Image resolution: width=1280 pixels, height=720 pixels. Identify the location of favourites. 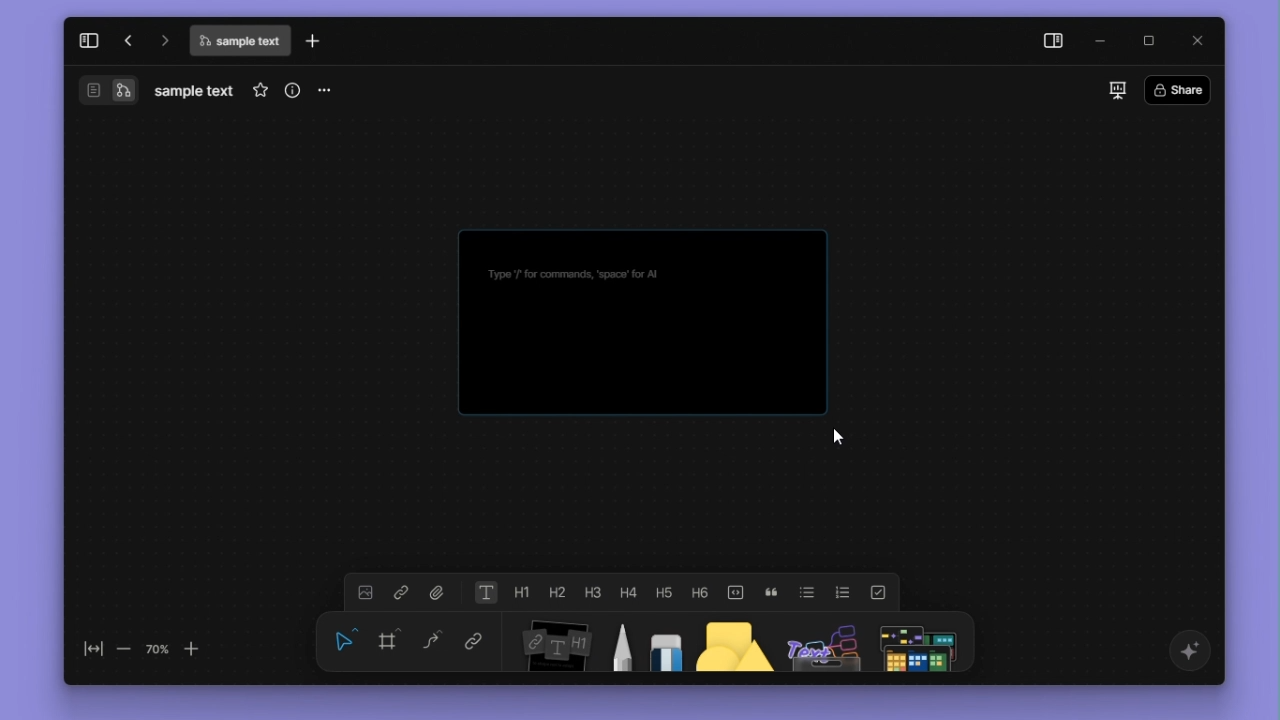
(256, 90).